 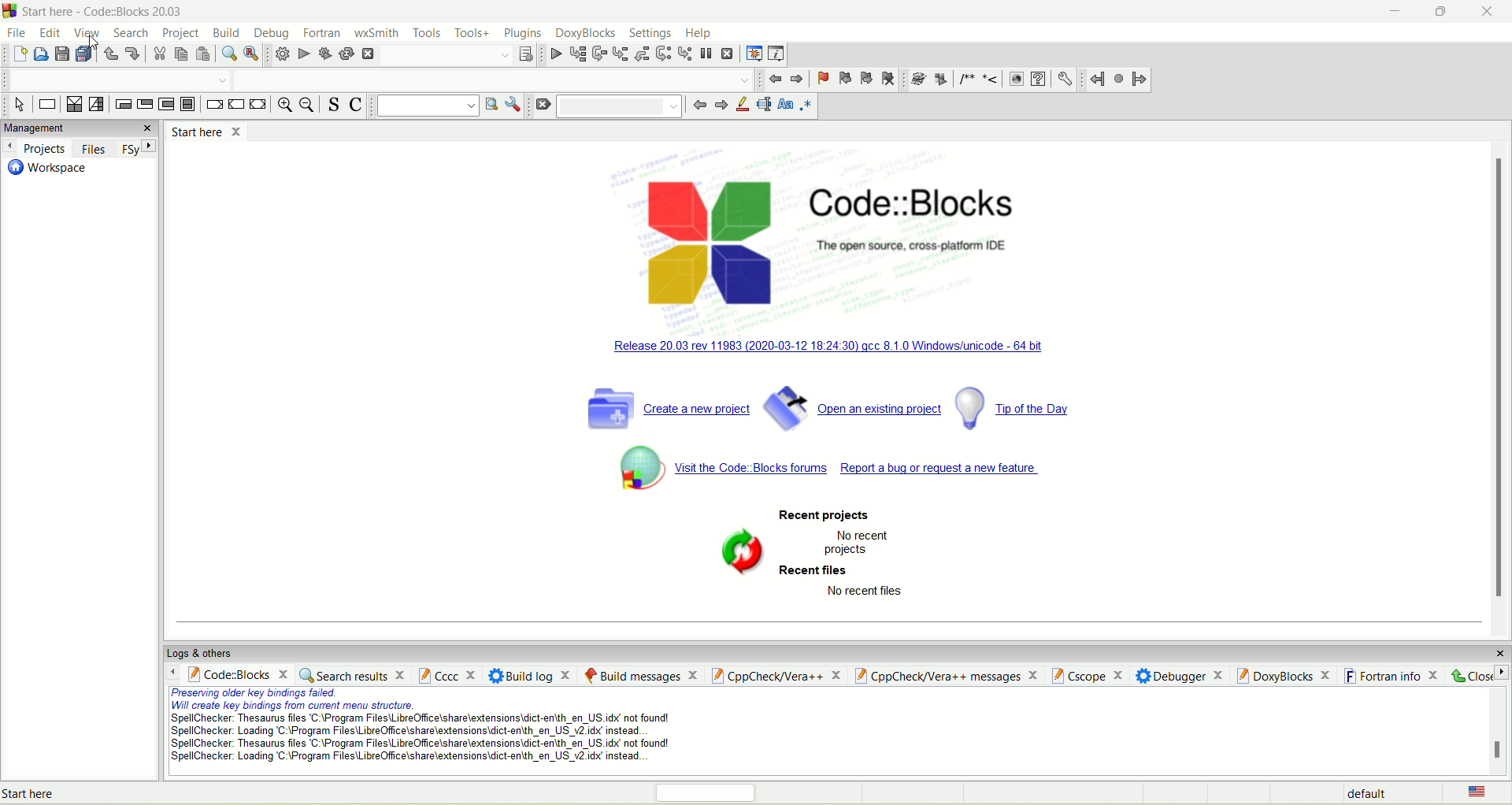 What do you see at coordinates (796, 79) in the screenshot?
I see `jump forward` at bounding box center [796, 79].